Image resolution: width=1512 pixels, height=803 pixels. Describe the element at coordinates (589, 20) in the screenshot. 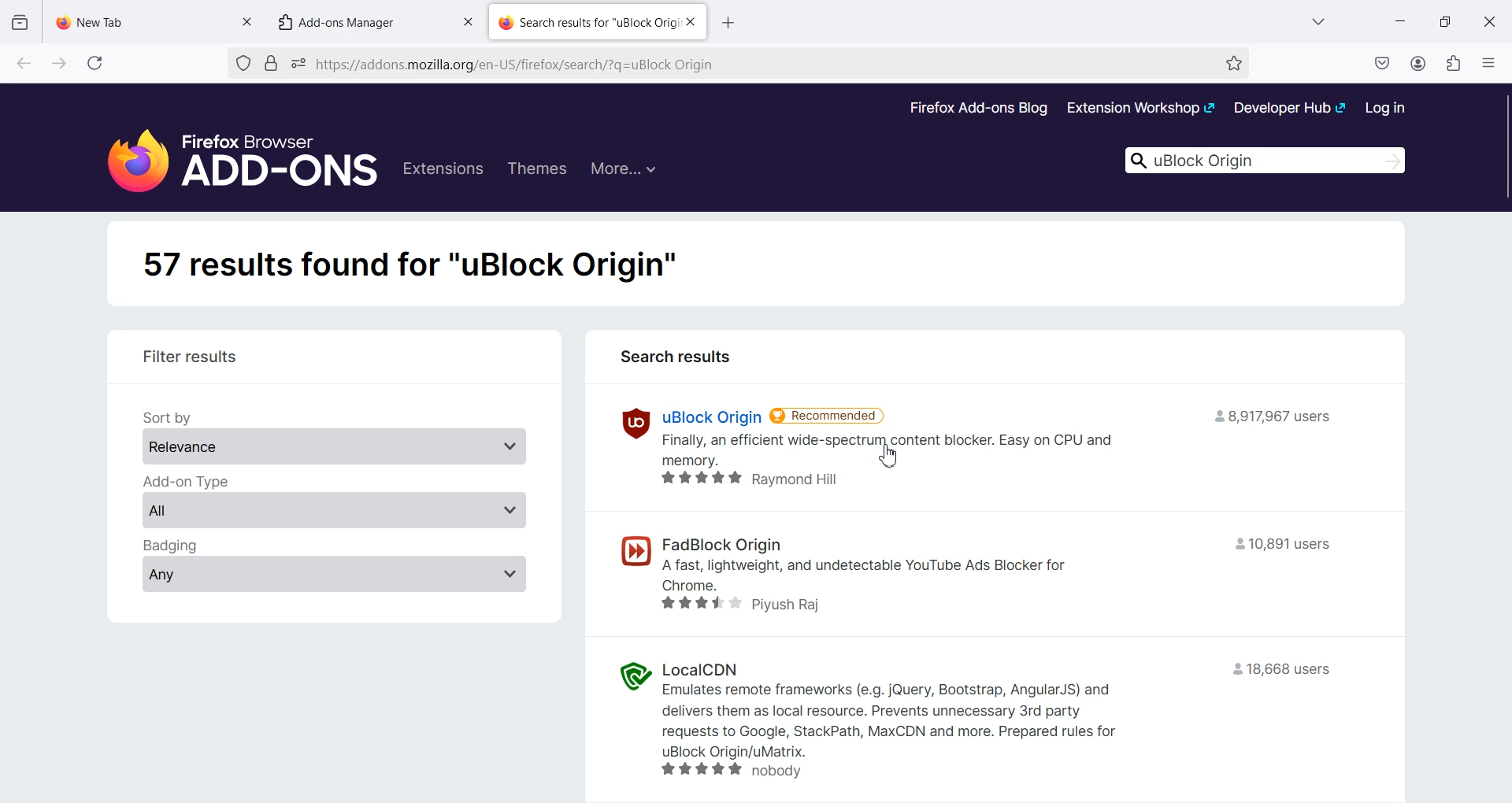

I see `Search results for “uBlock Orig` at that location.